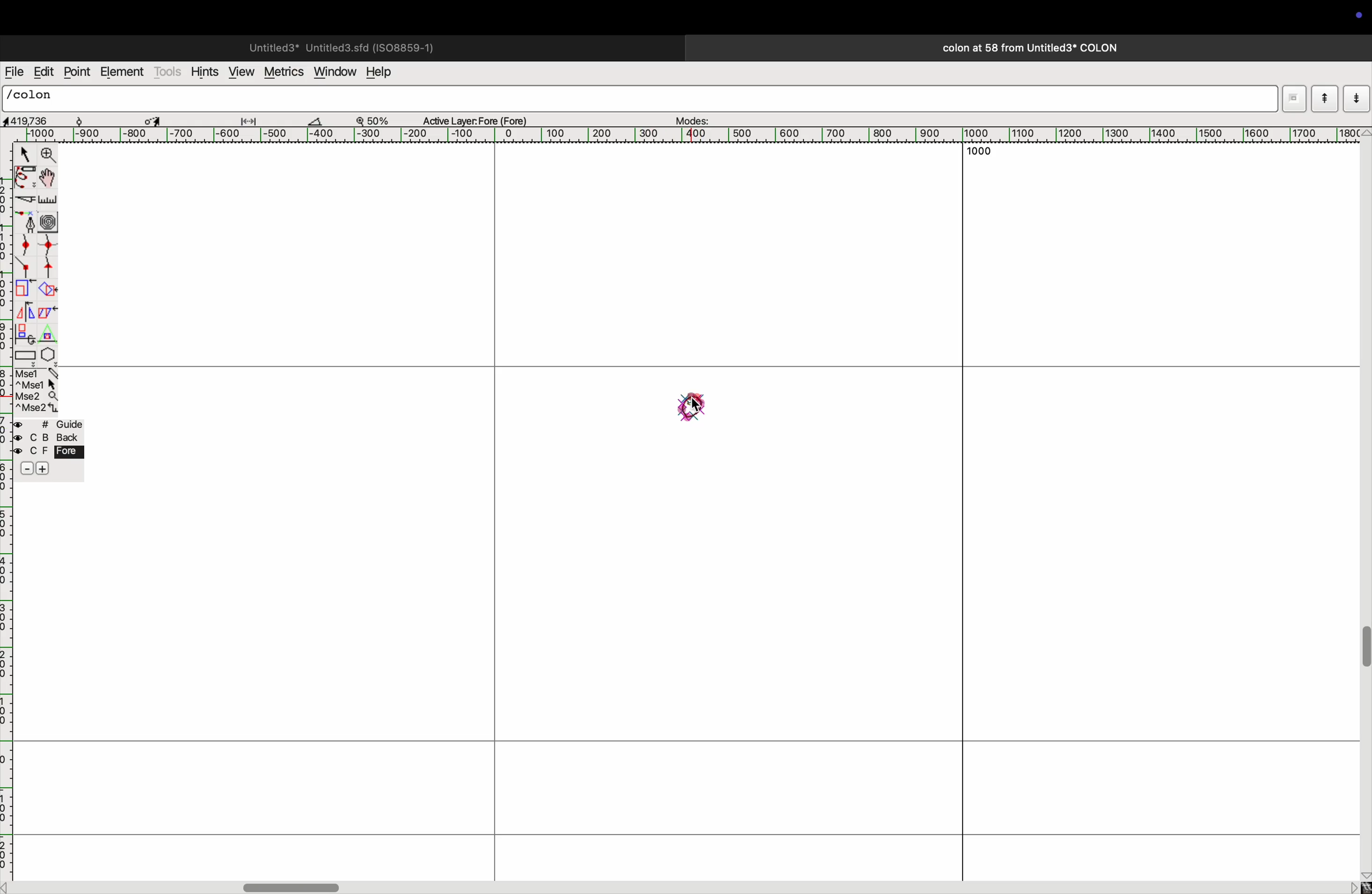 Image resolution: width=1372 pixels, height=894 pixels. What do you see at coordinates (333, 73) in the screenshot?
I see `window` at bounding box center [333, 73].